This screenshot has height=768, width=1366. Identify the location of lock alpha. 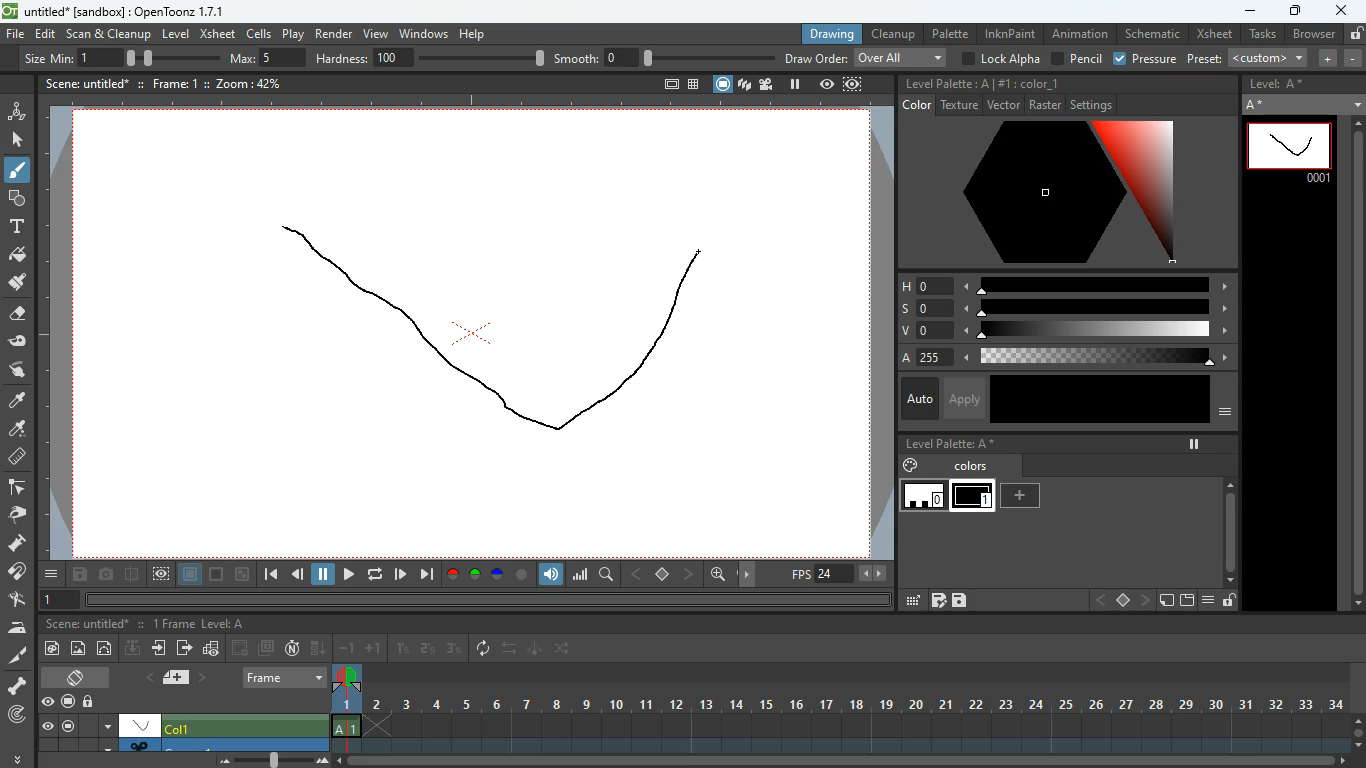
(999, 58).